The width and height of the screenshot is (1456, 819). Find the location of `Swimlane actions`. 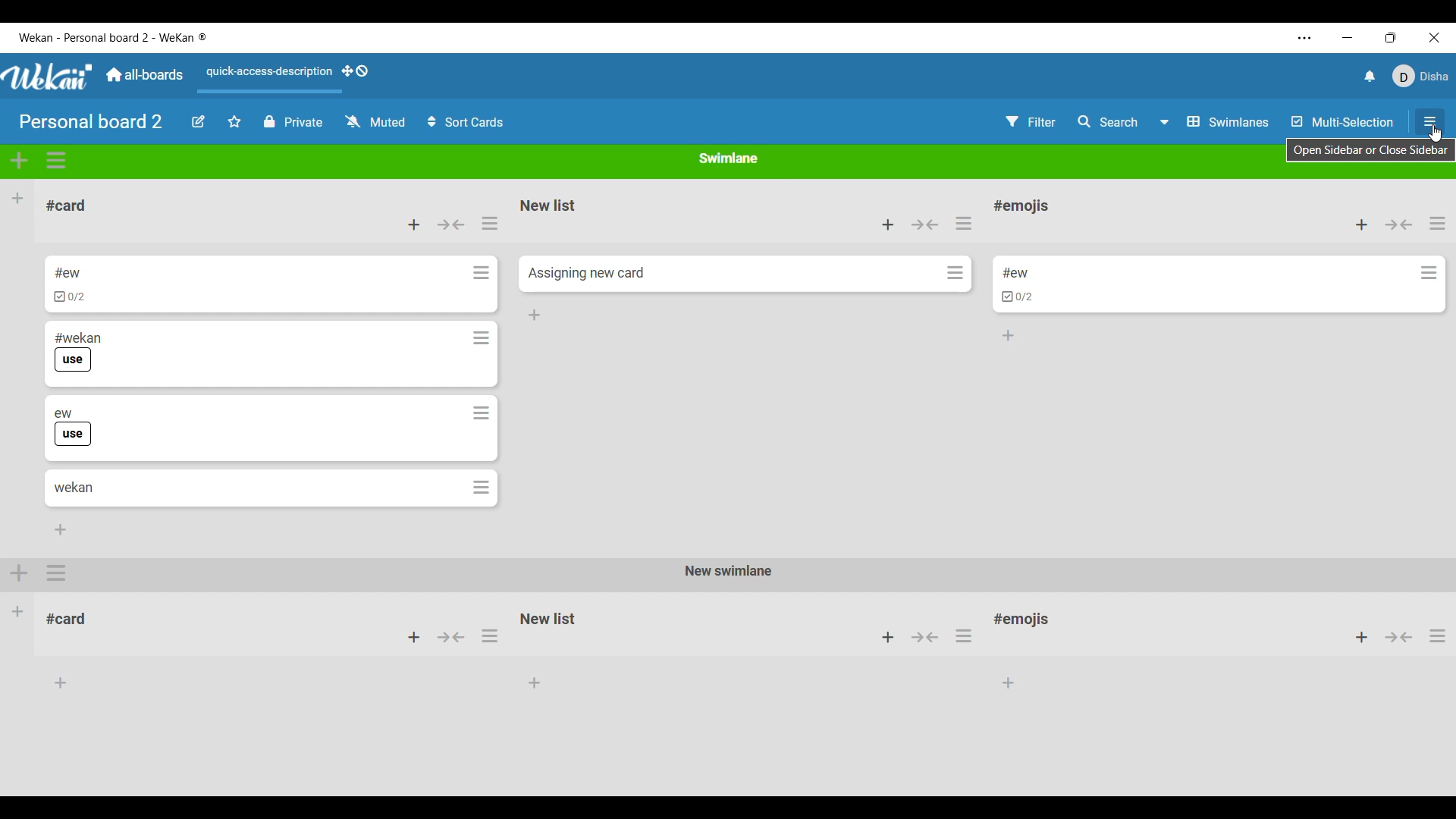

Swimlane actions is located at coordinates (56, 161).